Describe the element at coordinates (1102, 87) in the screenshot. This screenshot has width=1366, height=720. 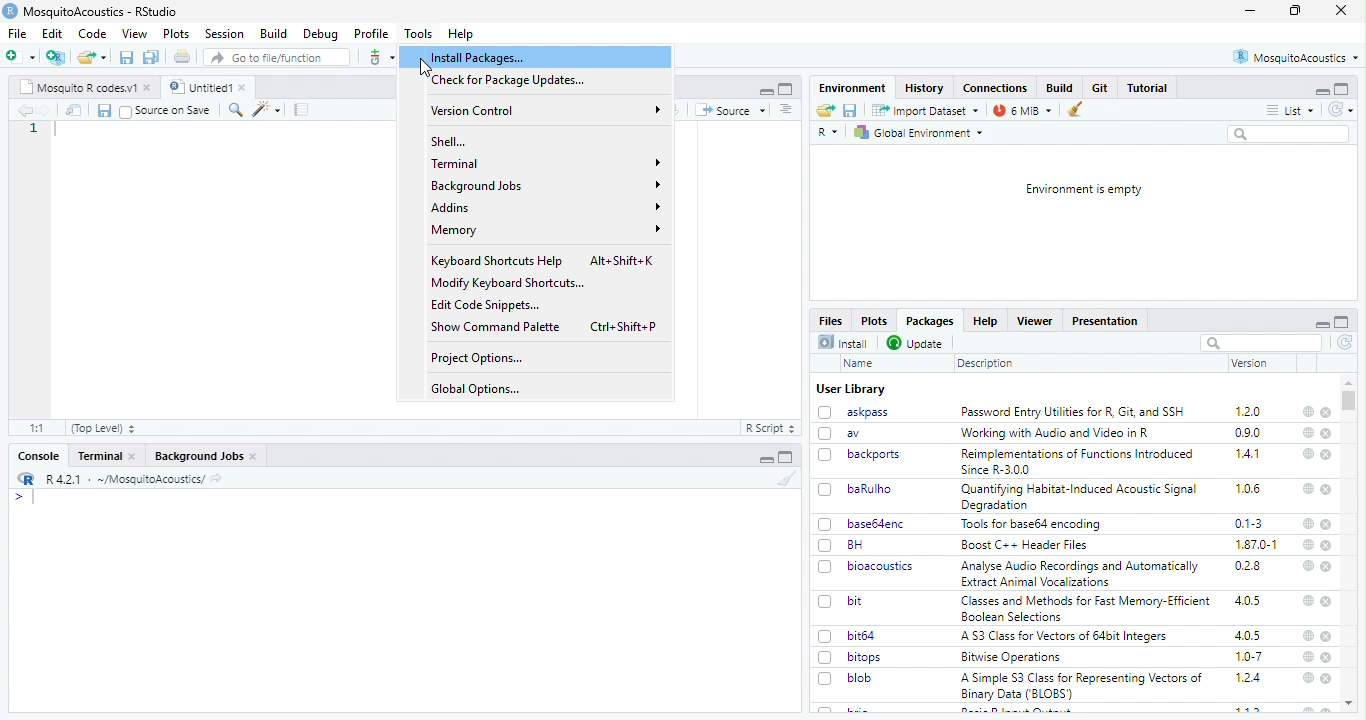
I see `Git` at that location.